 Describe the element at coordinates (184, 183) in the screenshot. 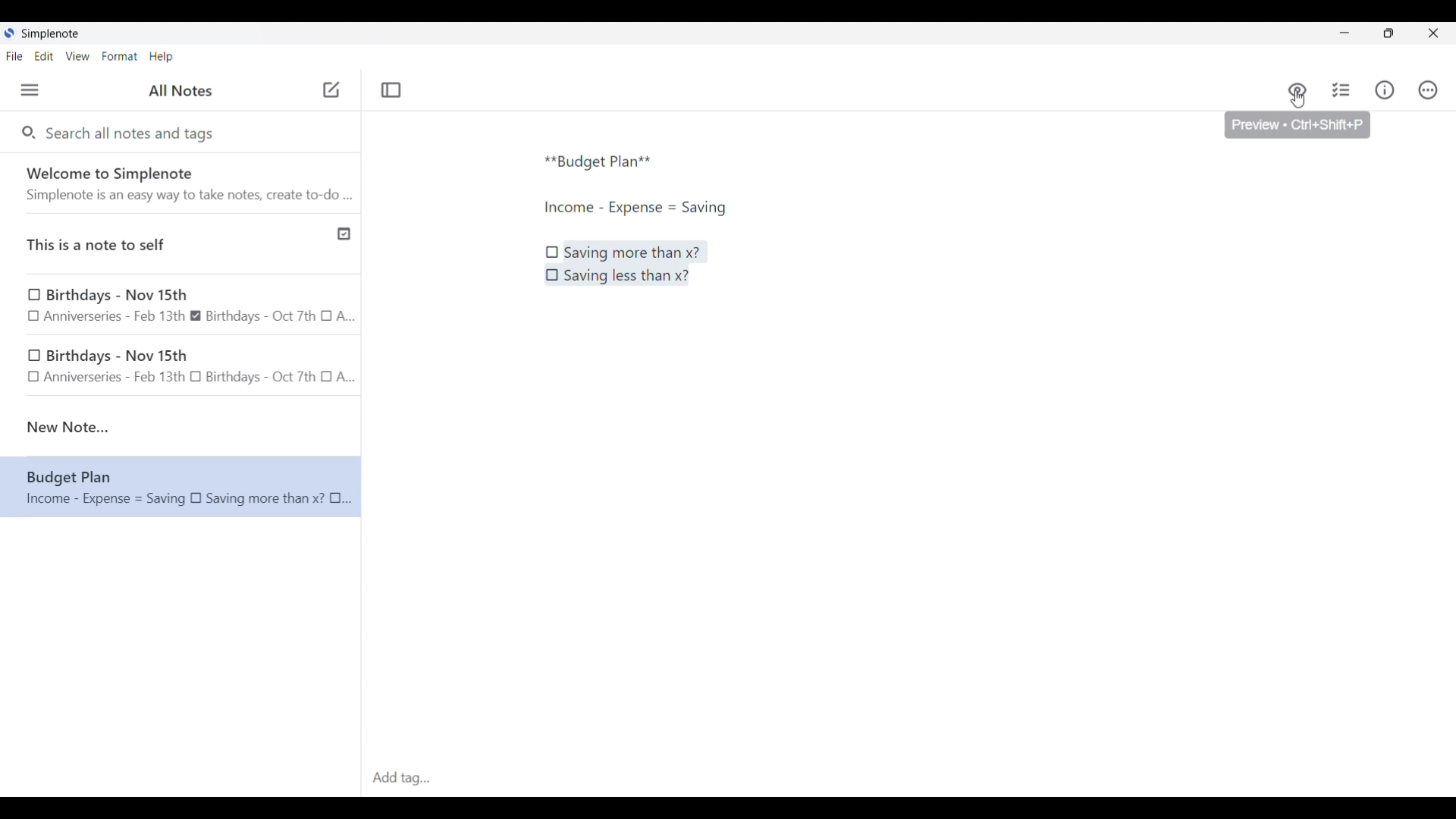

I see `Software welcome note` at that location.